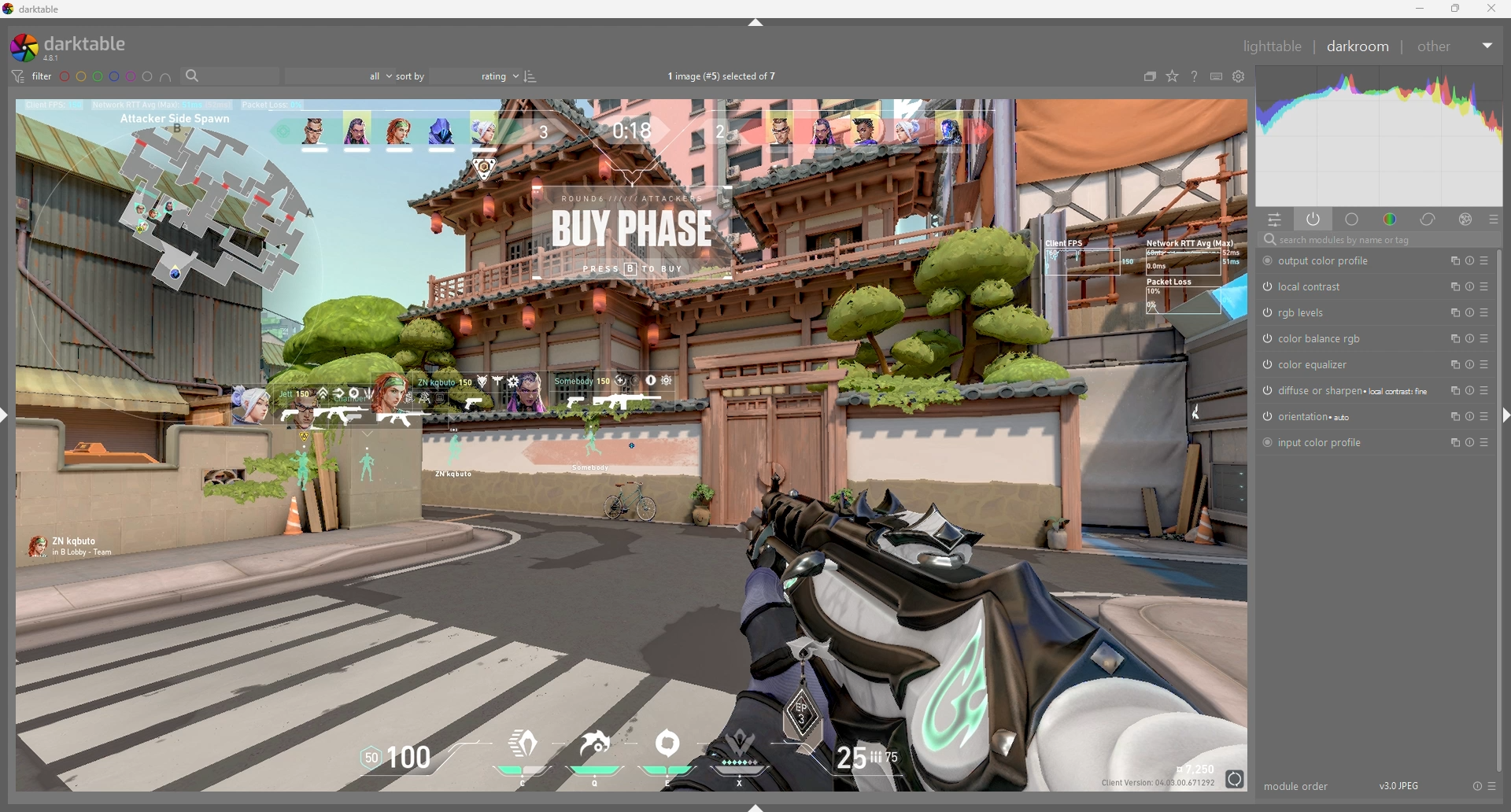 The image size is (1511, 812). Describe the element at coordinates (629, 446) in the screenshot. I see `photo` at that location.